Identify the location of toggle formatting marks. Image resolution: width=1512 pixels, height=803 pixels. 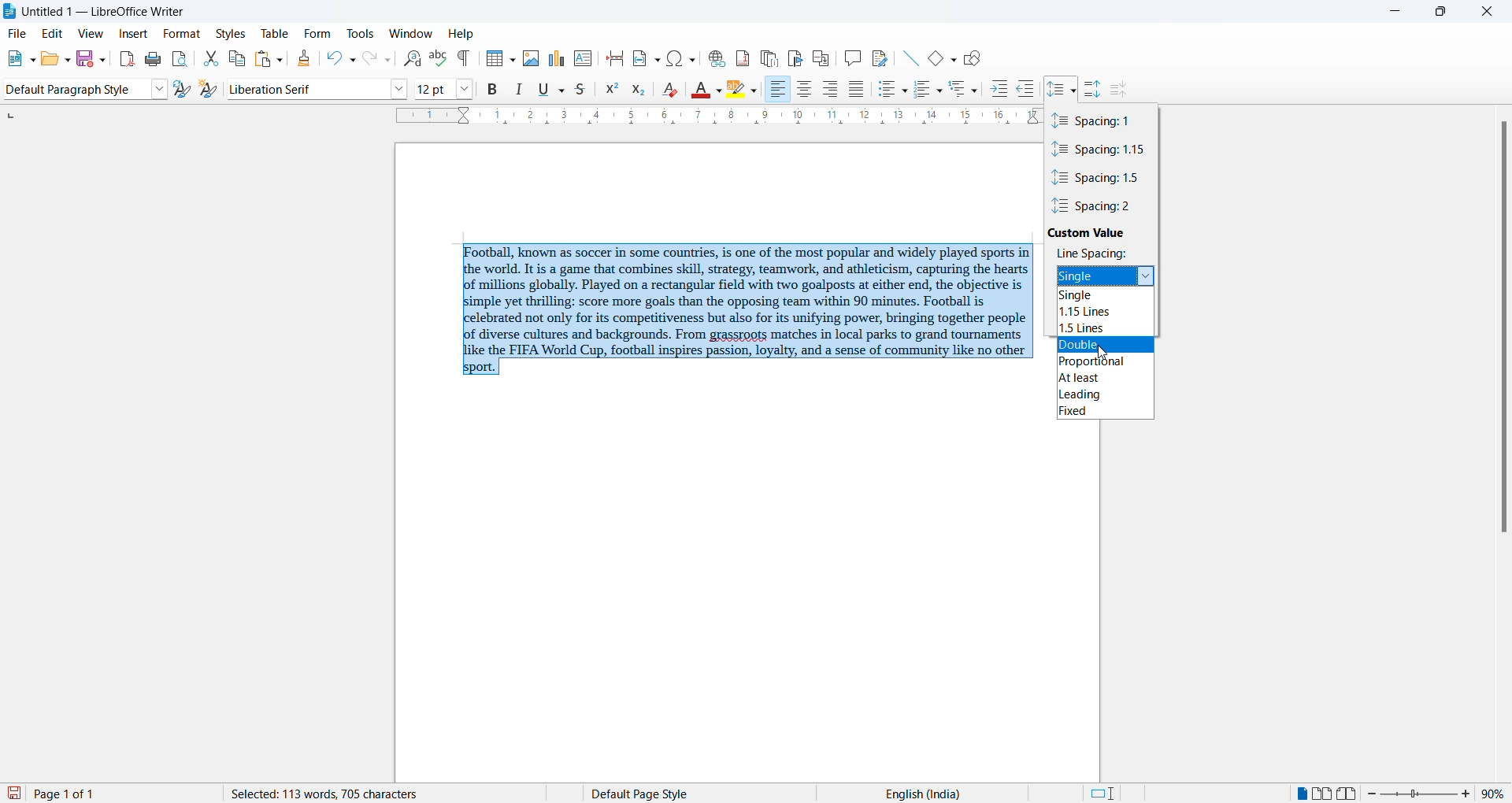
(465, 60).